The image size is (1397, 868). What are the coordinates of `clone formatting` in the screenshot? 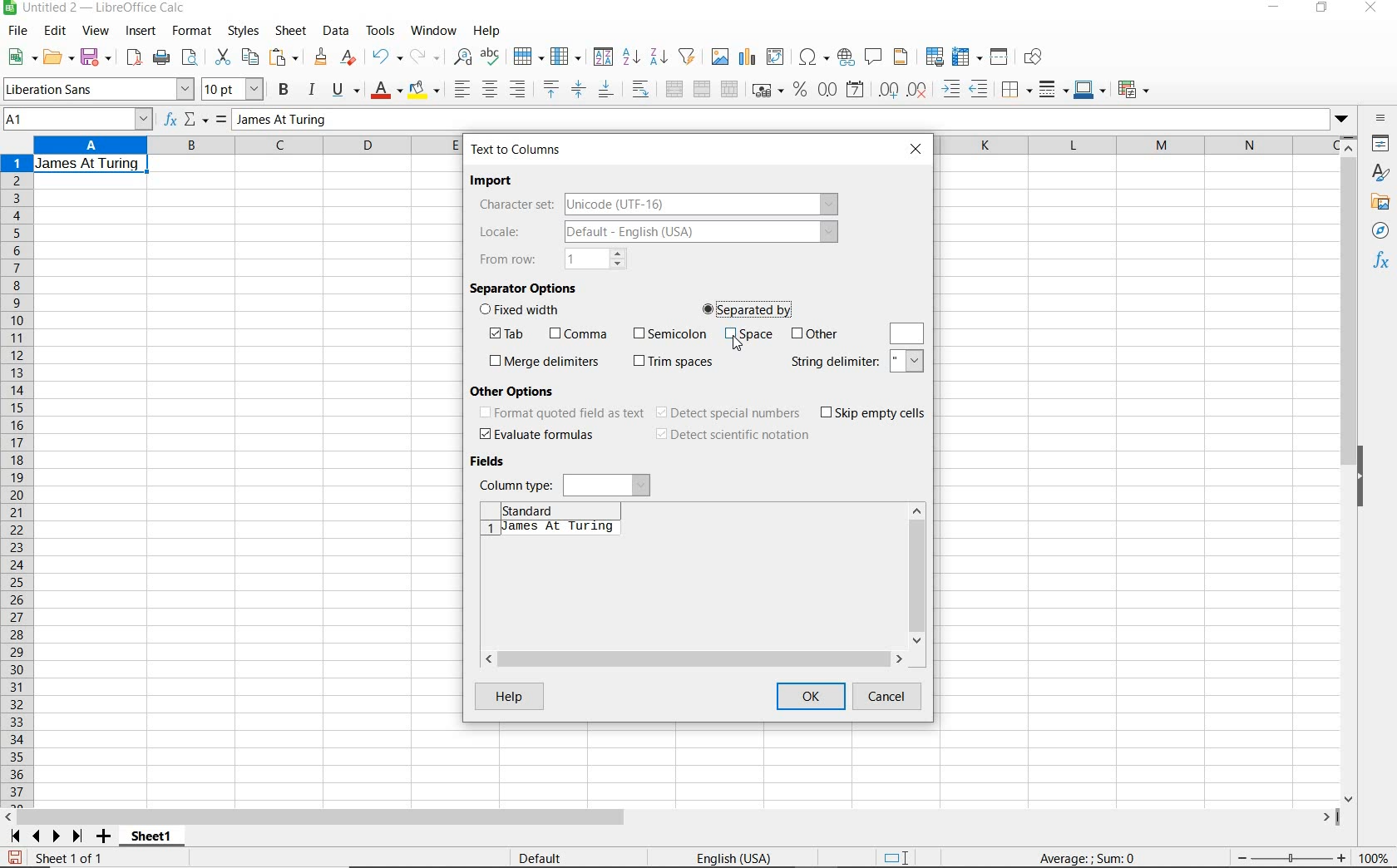 It's located at (320, 57).